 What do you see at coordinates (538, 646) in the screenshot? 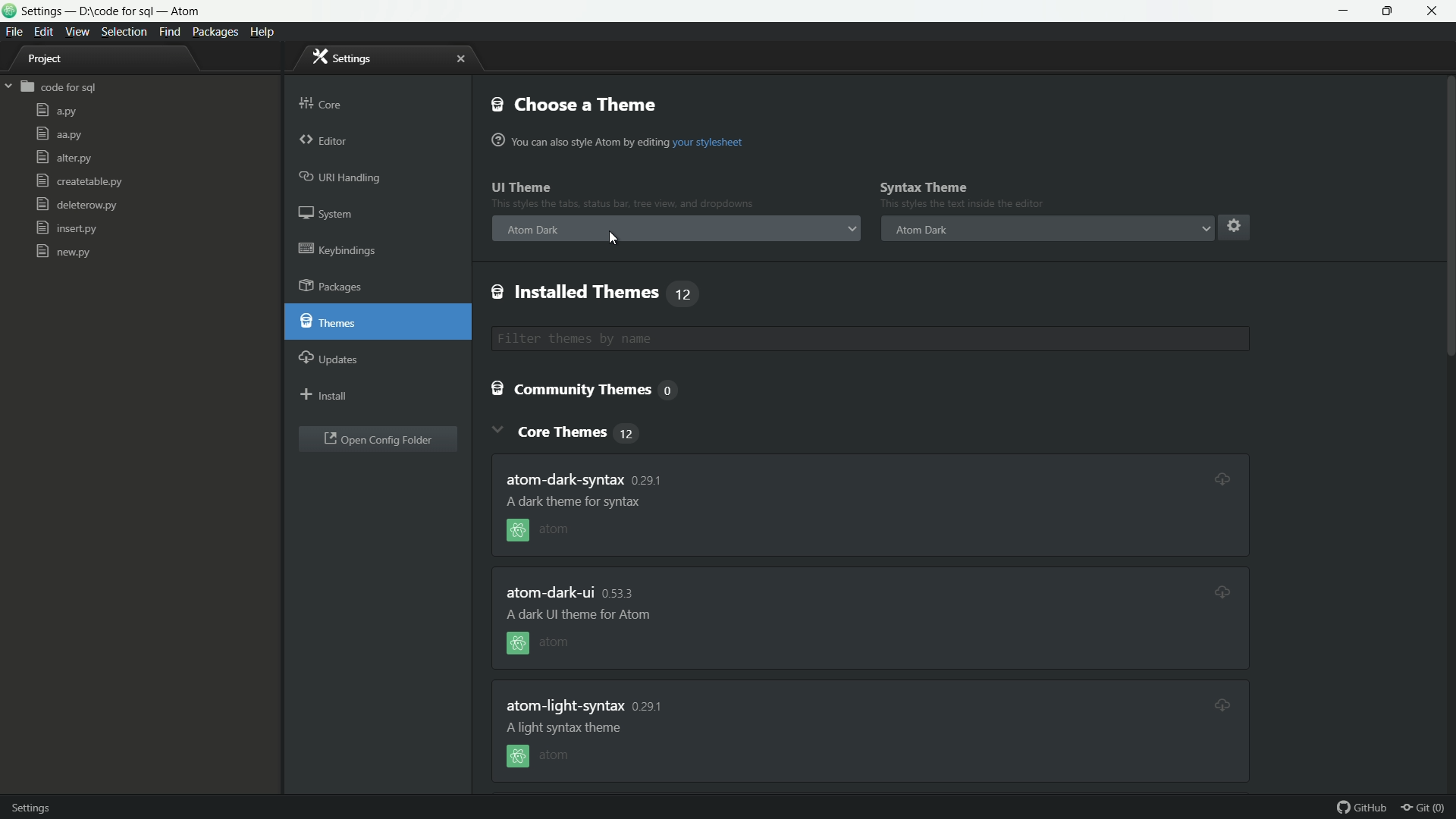
I see `atom` at bounding box center [538, 646].